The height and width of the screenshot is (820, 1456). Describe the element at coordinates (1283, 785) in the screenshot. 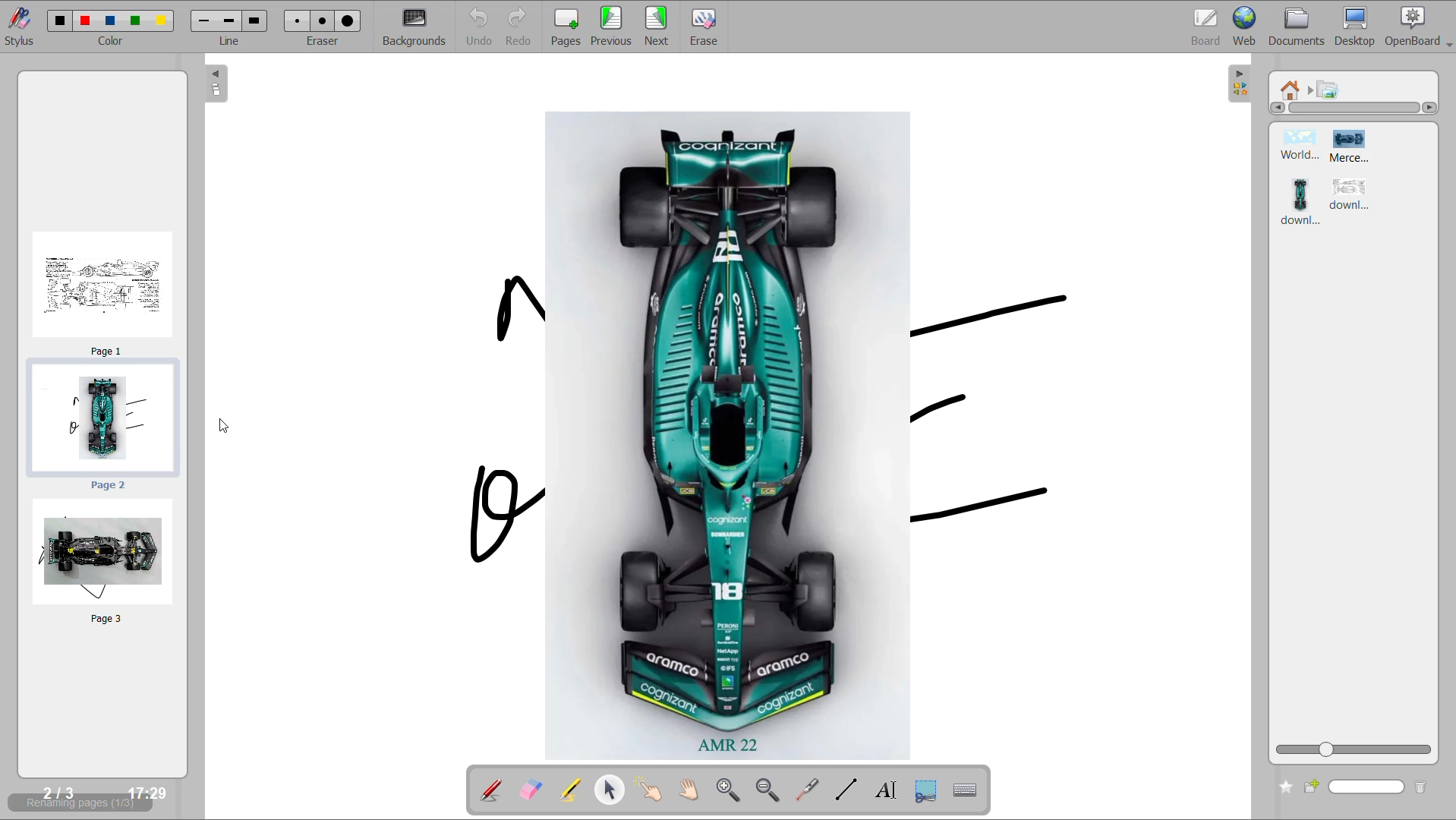

I see `add to favourites` at that location.